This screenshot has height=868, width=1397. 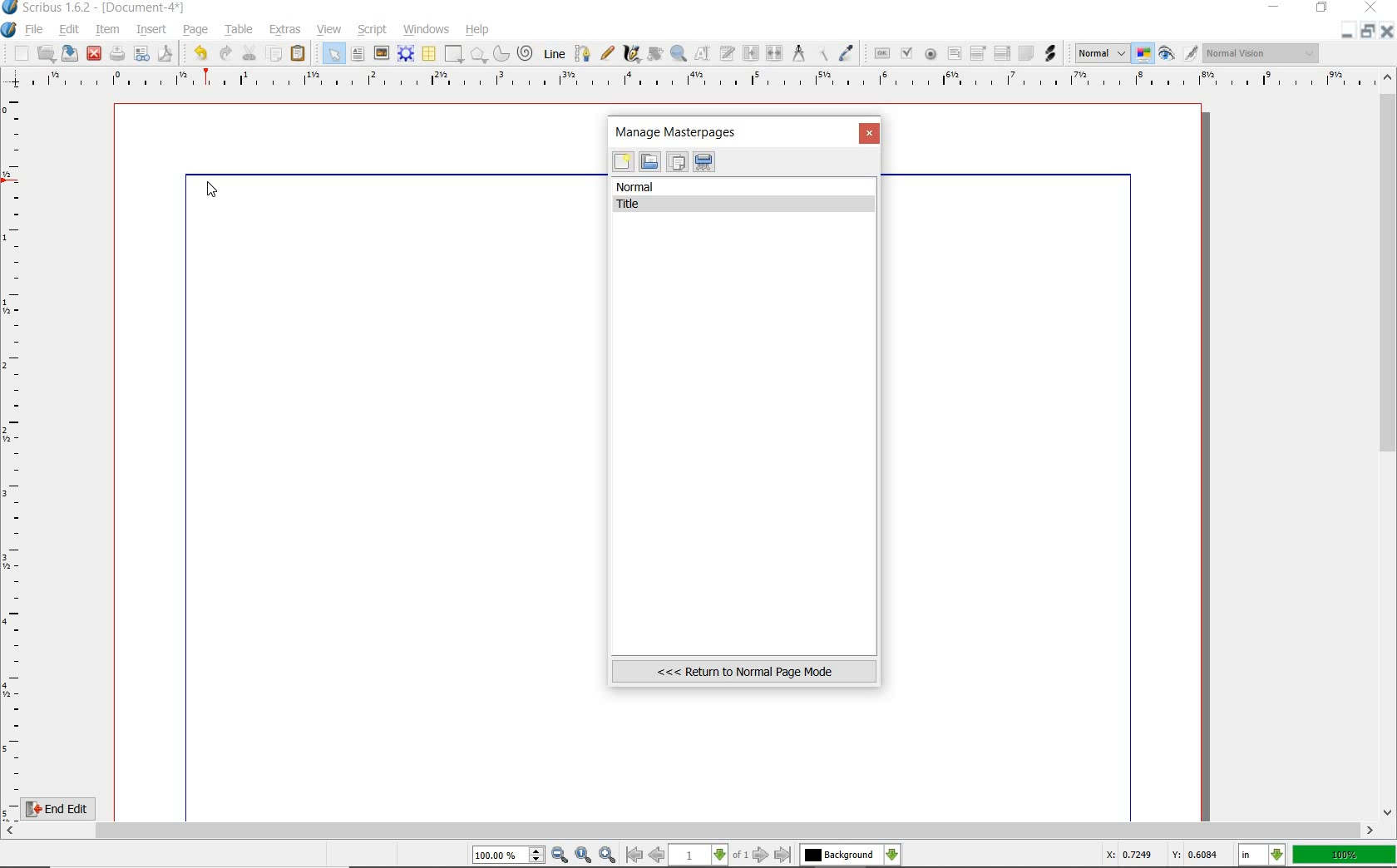 I want to click on copy item properties, so click(x=824, y=52).